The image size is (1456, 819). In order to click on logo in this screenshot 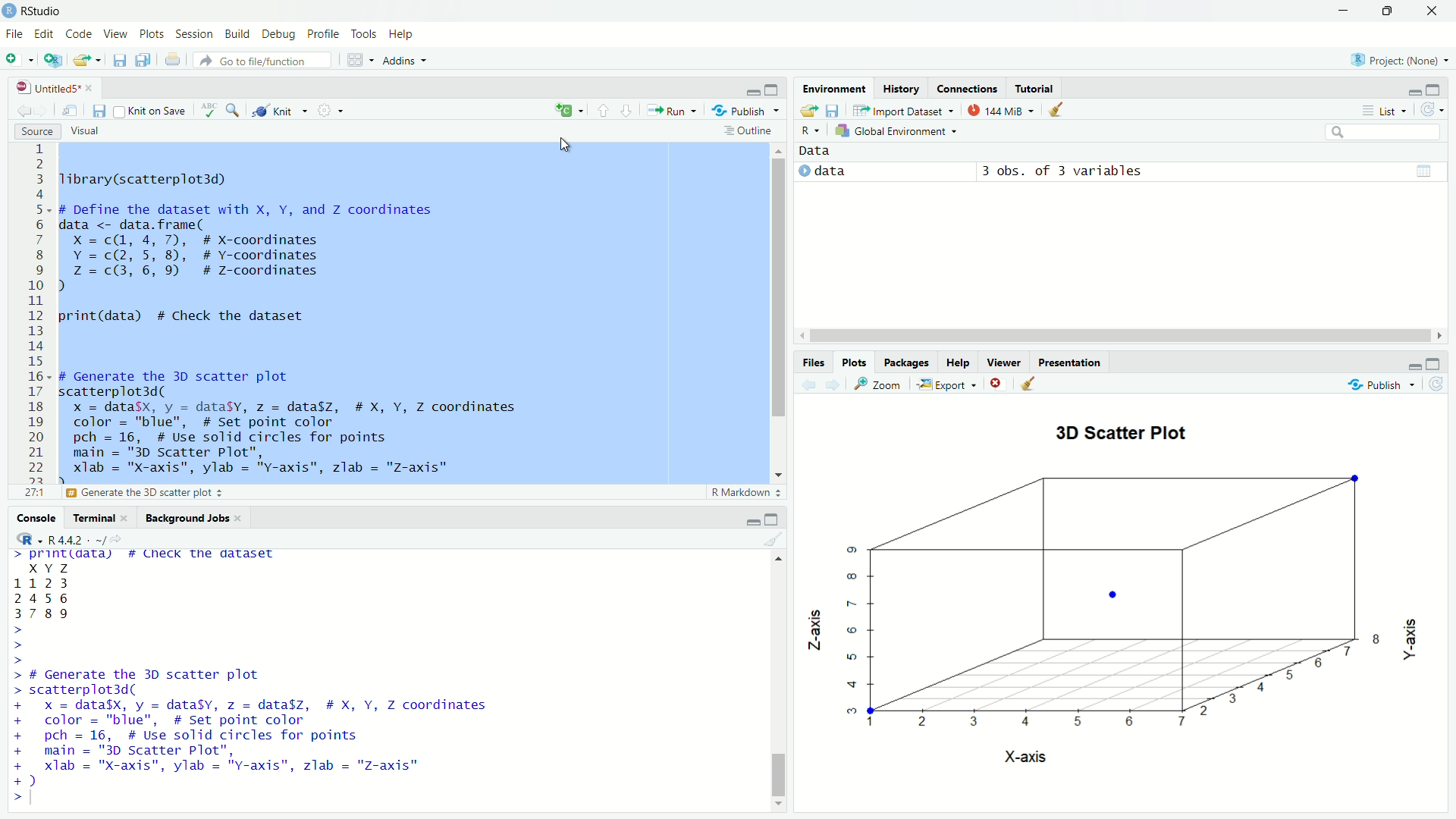, I will do `click(9, 9)`.